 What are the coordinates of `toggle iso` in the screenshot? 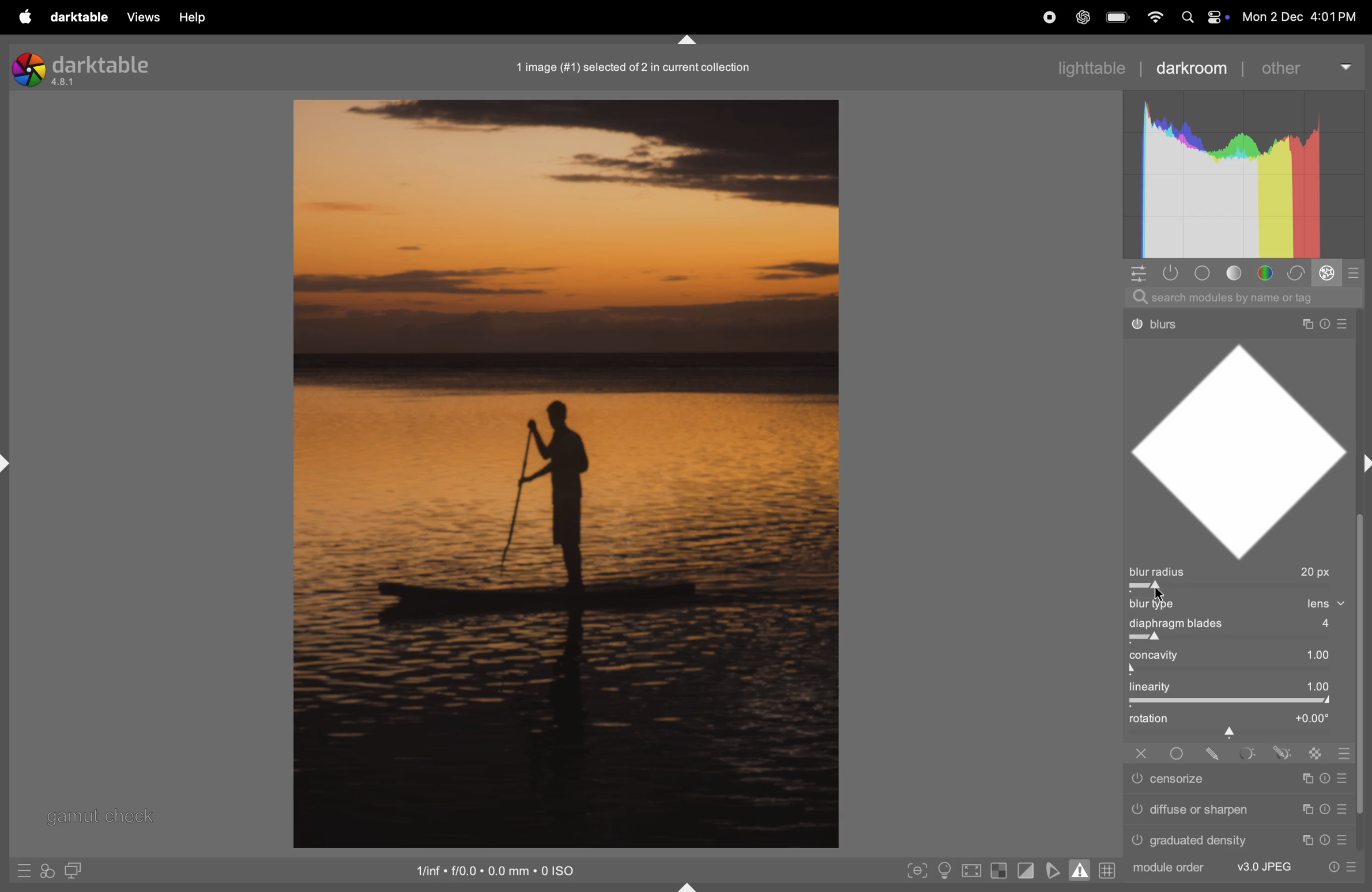 It's located at (943, 872).